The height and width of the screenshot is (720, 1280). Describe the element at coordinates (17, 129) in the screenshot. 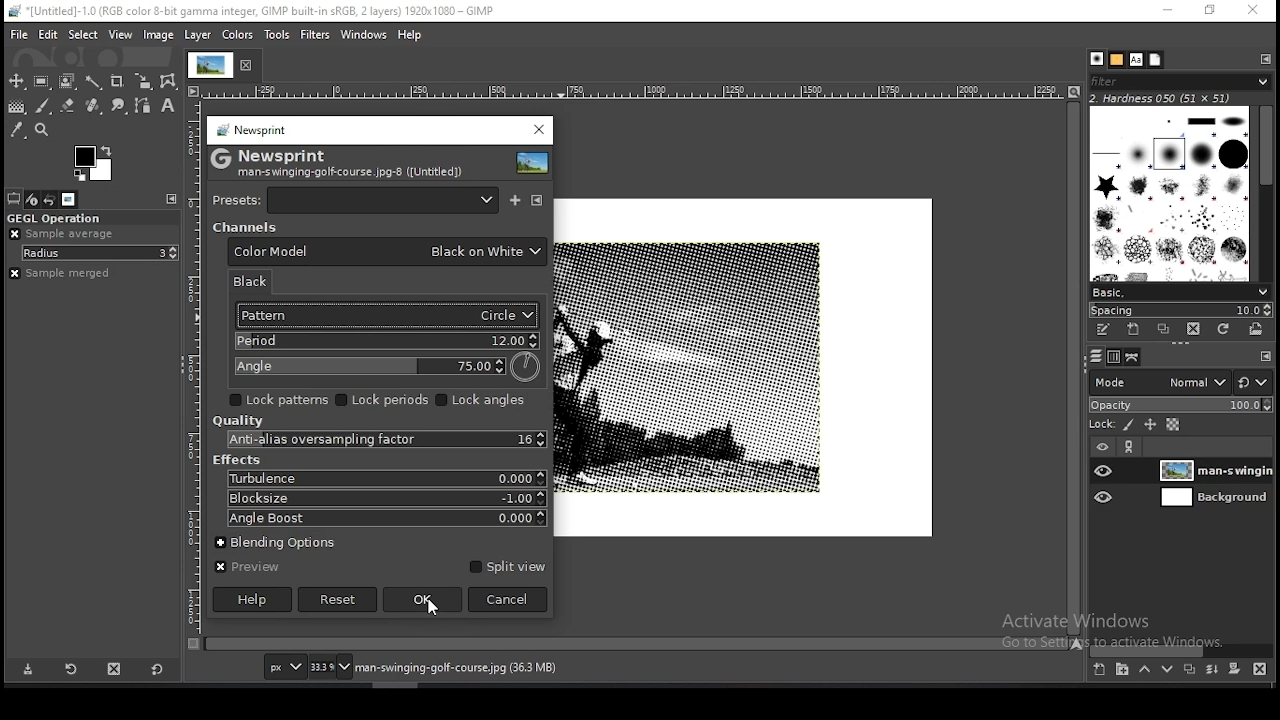

I see `color picker tool` at that location.